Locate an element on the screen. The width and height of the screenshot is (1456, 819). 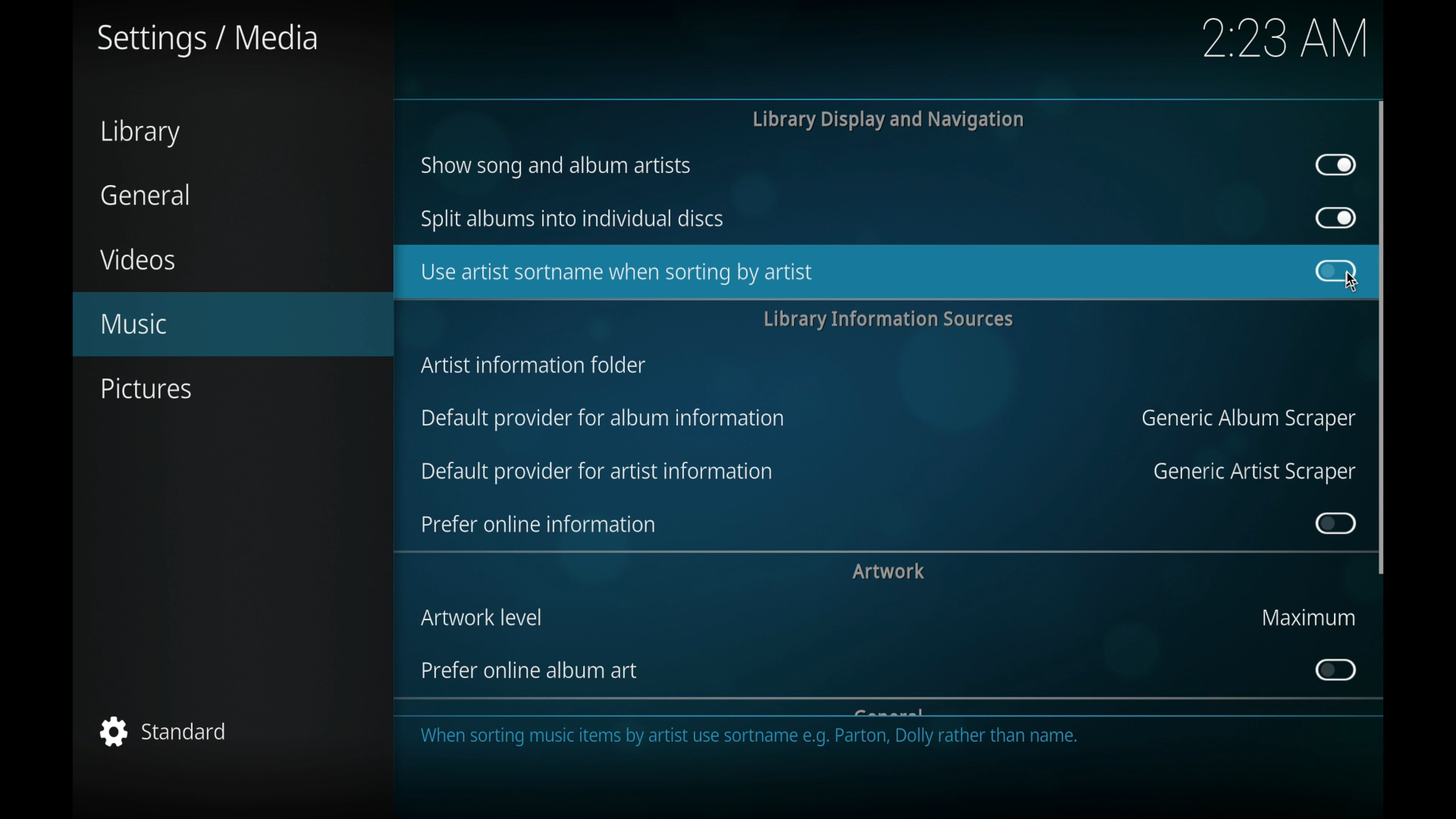
prefer online information is located at coordinates (538, 524).